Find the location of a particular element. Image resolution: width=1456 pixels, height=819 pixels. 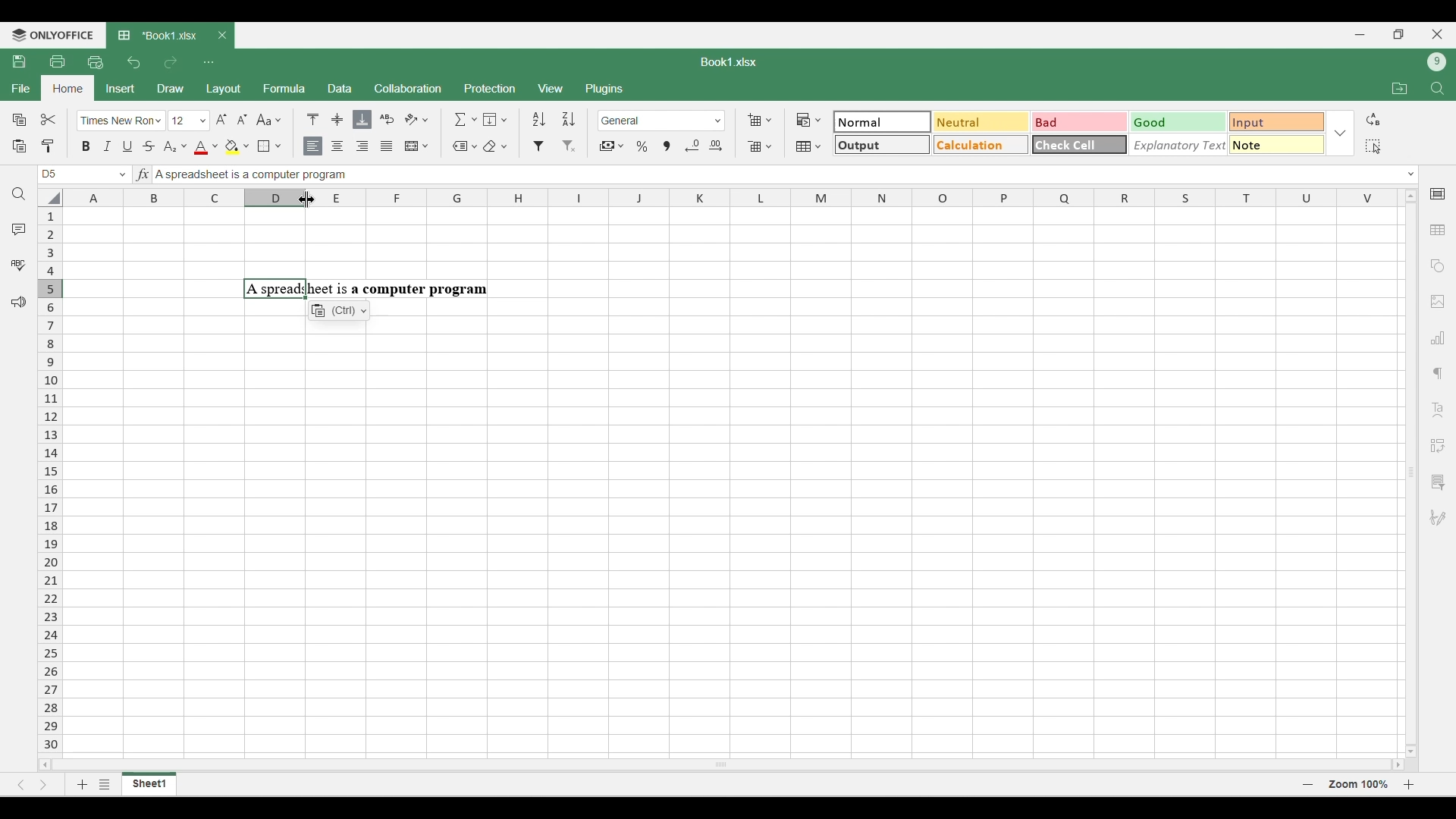

Print file is located at coordinates (57, 61).